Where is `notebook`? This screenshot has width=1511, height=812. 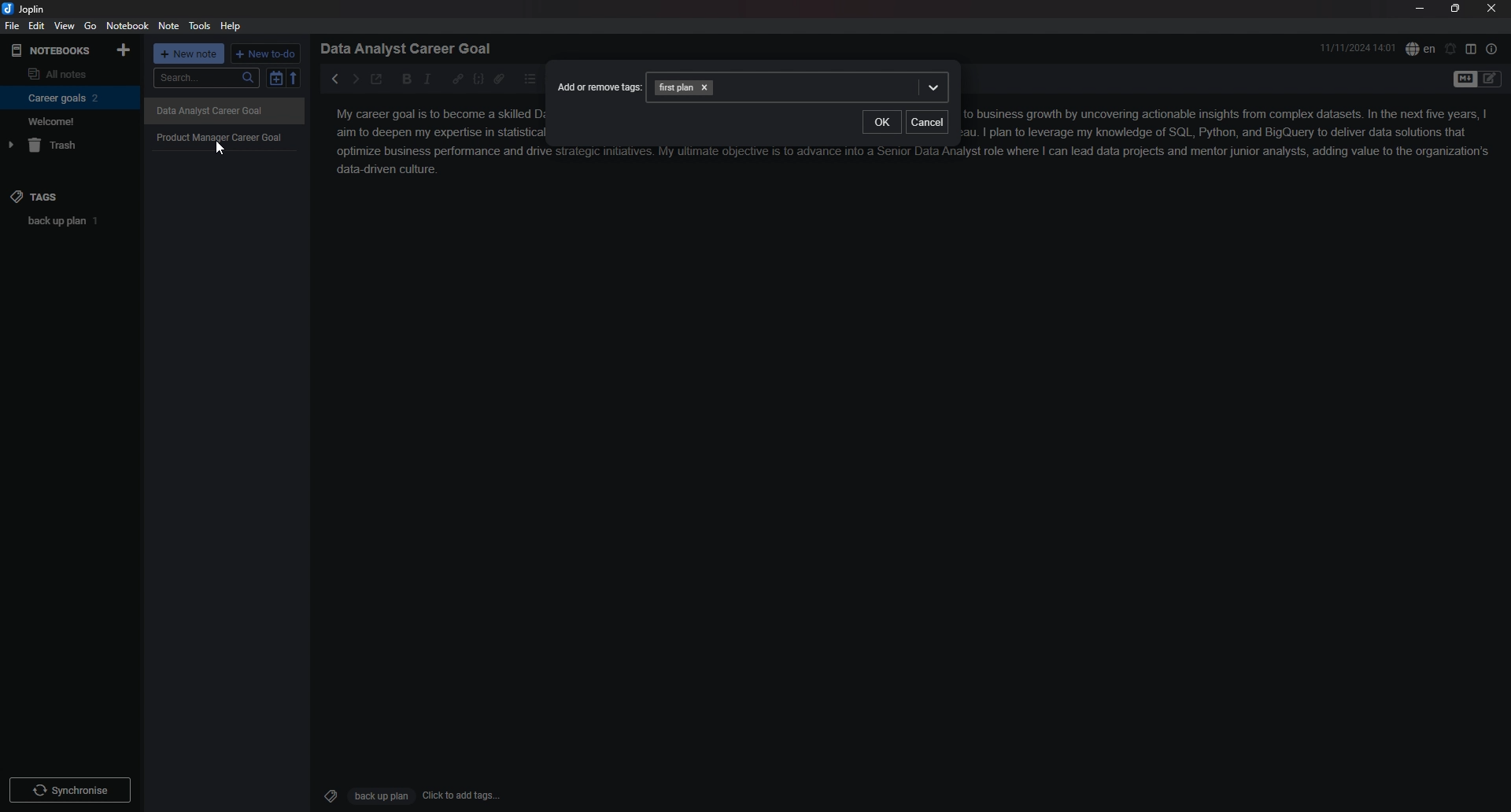
notebook is located at coordinates (127, 25).